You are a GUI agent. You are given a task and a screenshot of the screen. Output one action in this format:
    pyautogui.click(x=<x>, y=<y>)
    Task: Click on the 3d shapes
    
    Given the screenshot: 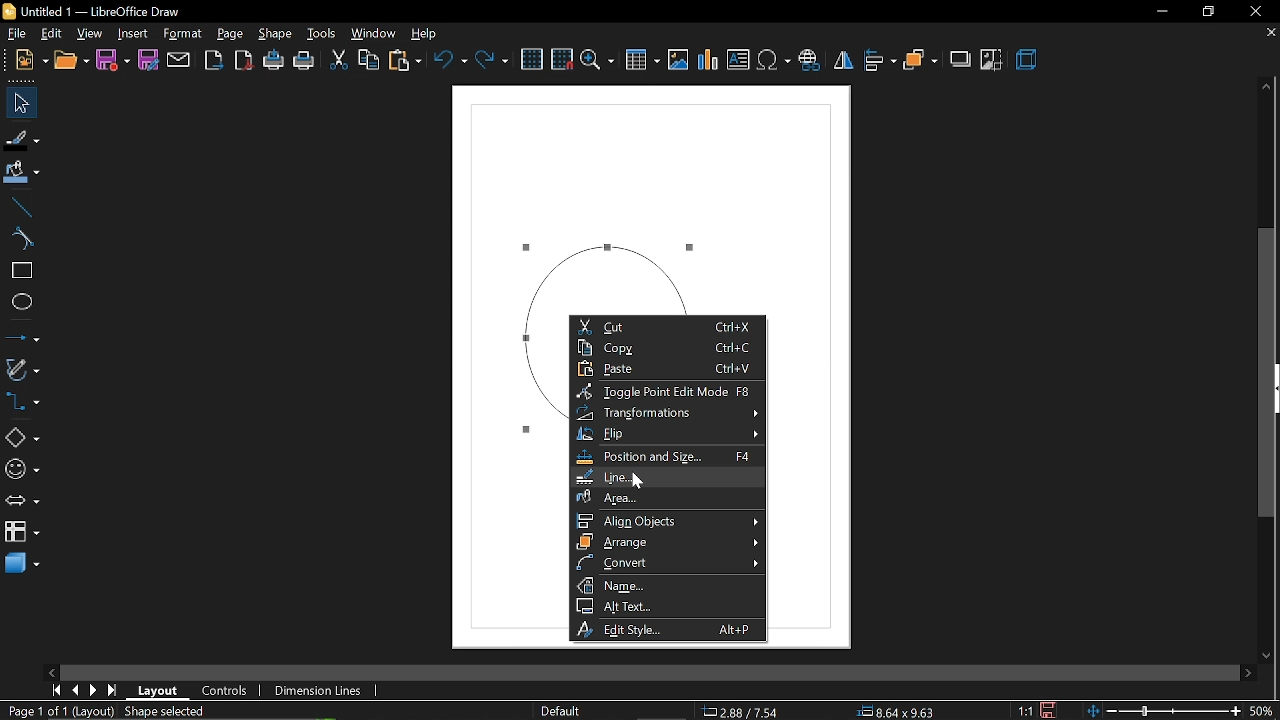 What is the action you would take?
    pyautogui.click(x=21, y=563)
    